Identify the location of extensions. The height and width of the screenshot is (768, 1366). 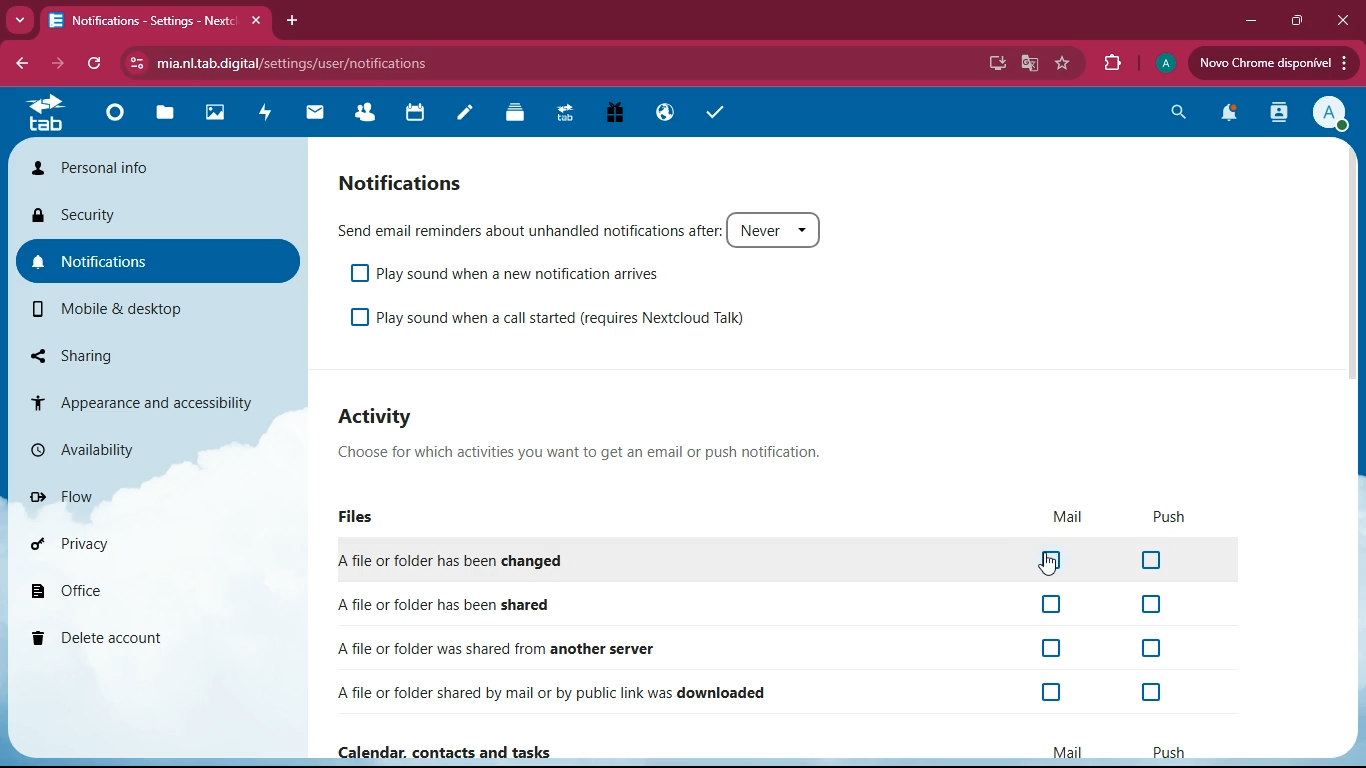
(1110, 64).